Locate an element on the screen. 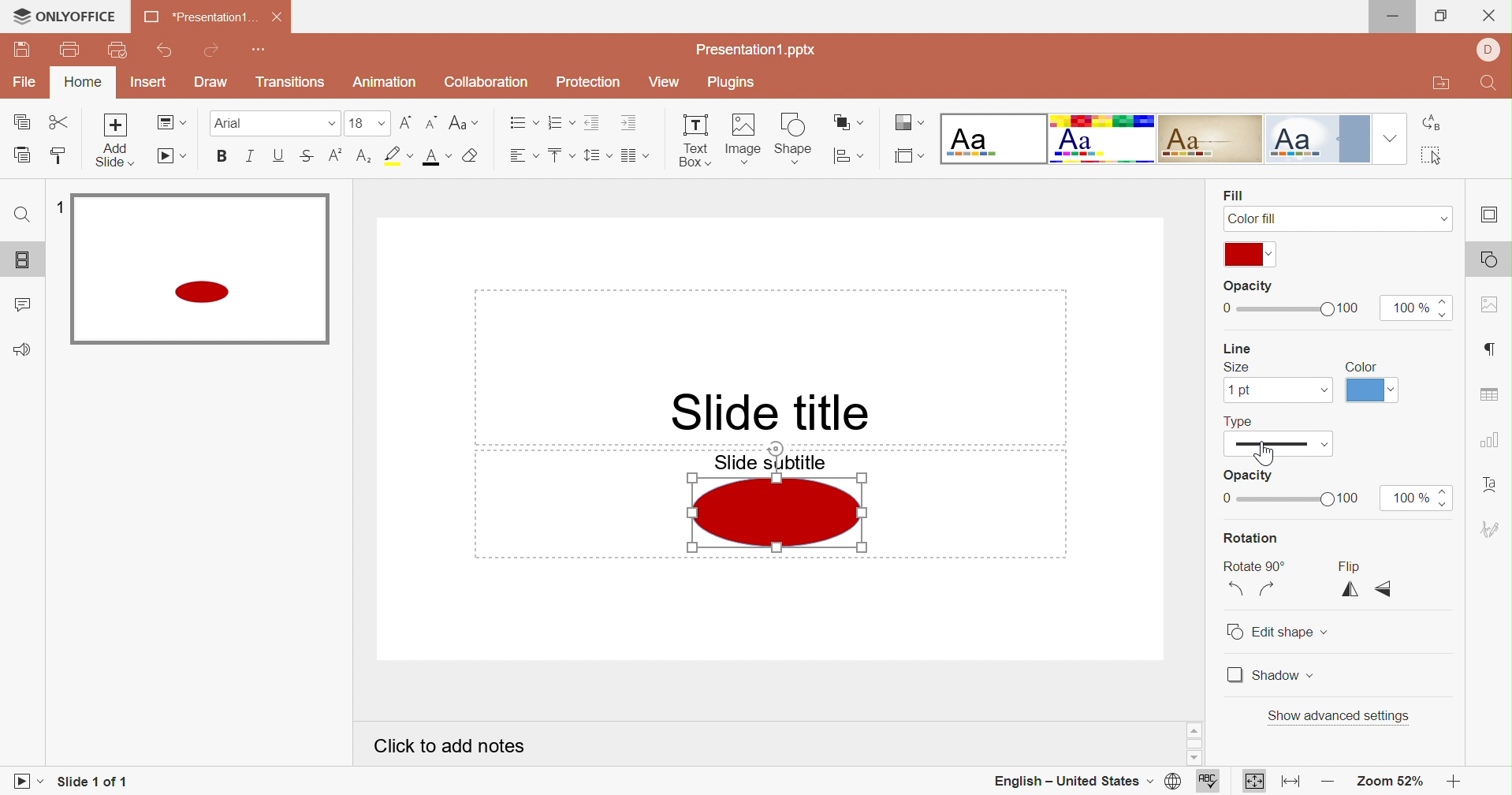 The width and height of the screenshot is (1512, 795). Classic is located at coordinates (1211, 139).